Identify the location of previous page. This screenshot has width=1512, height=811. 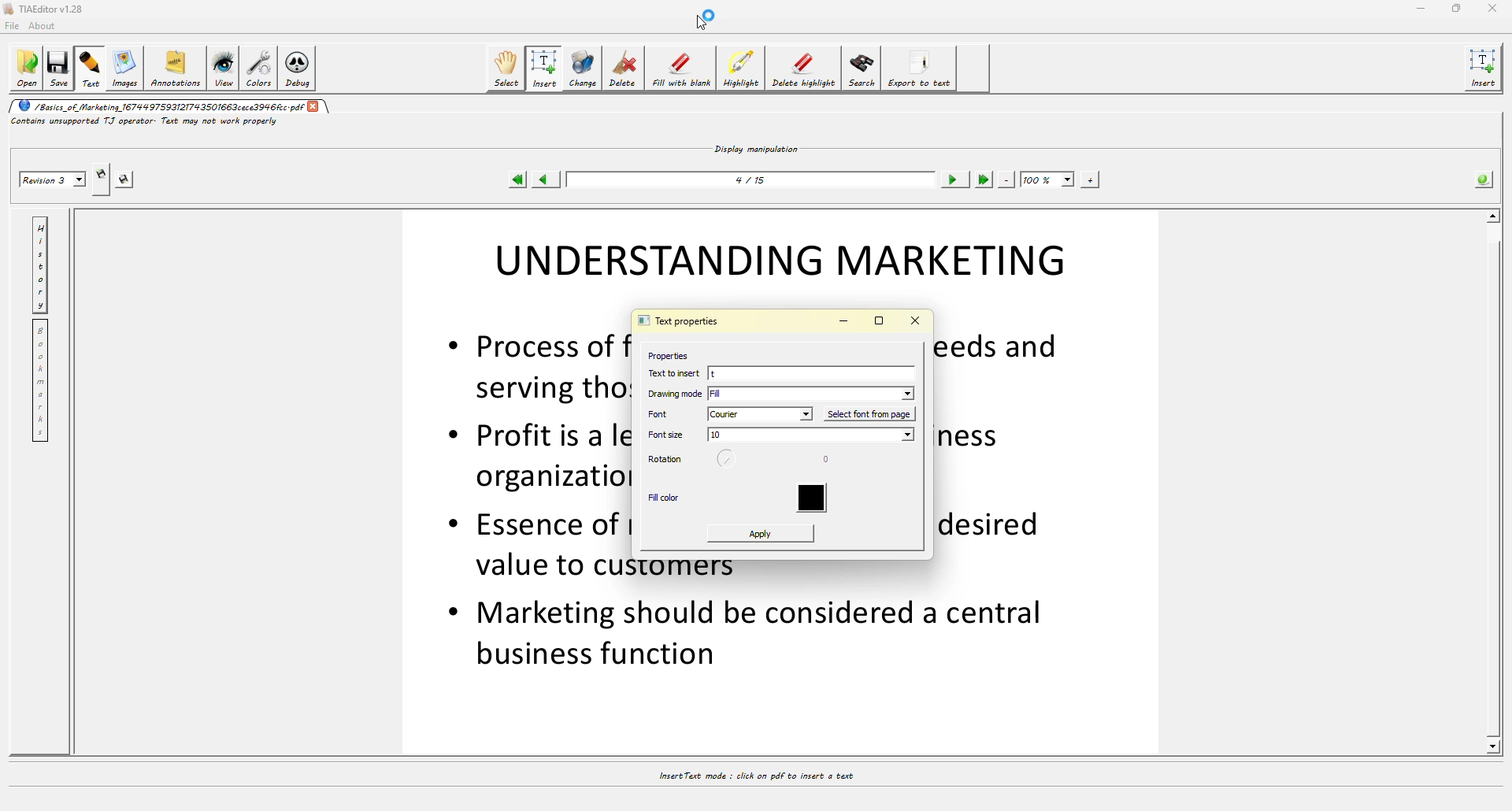
(548, 180).